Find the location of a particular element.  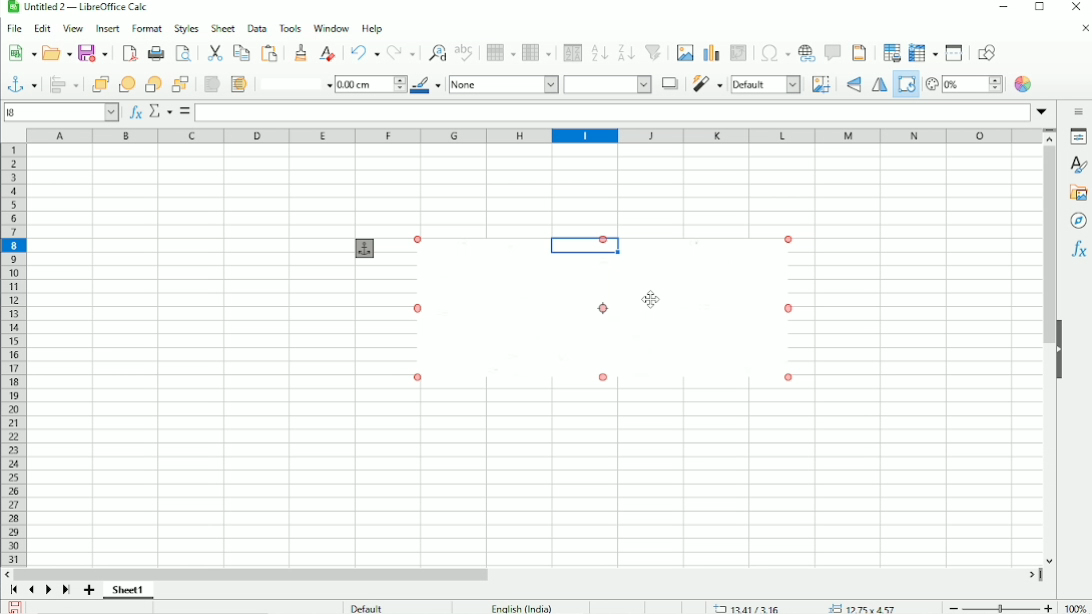

Vertical scrollbar is located at coordinates (1050, 237).